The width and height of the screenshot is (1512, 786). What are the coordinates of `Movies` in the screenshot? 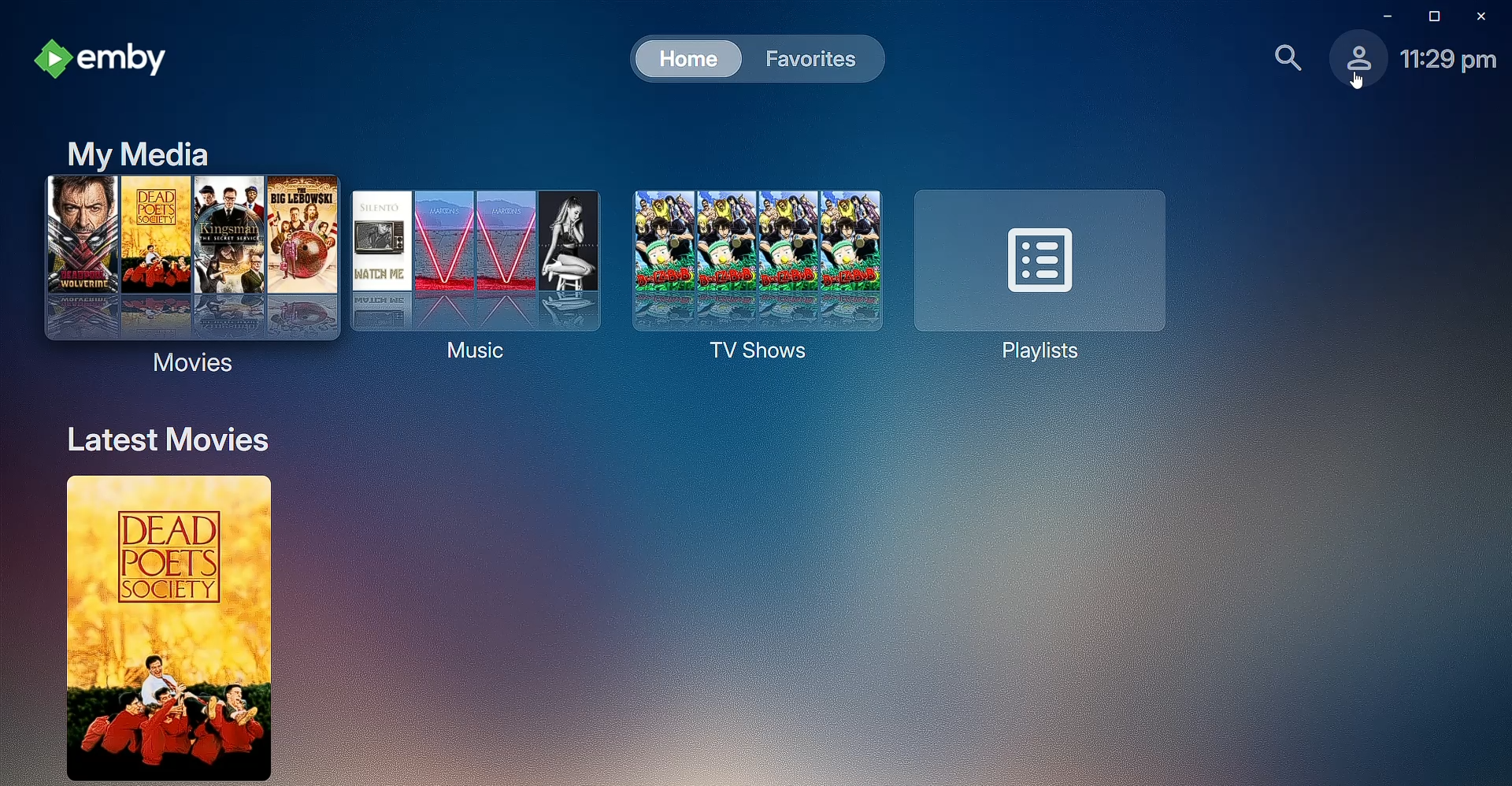 It's located at (184, 276).